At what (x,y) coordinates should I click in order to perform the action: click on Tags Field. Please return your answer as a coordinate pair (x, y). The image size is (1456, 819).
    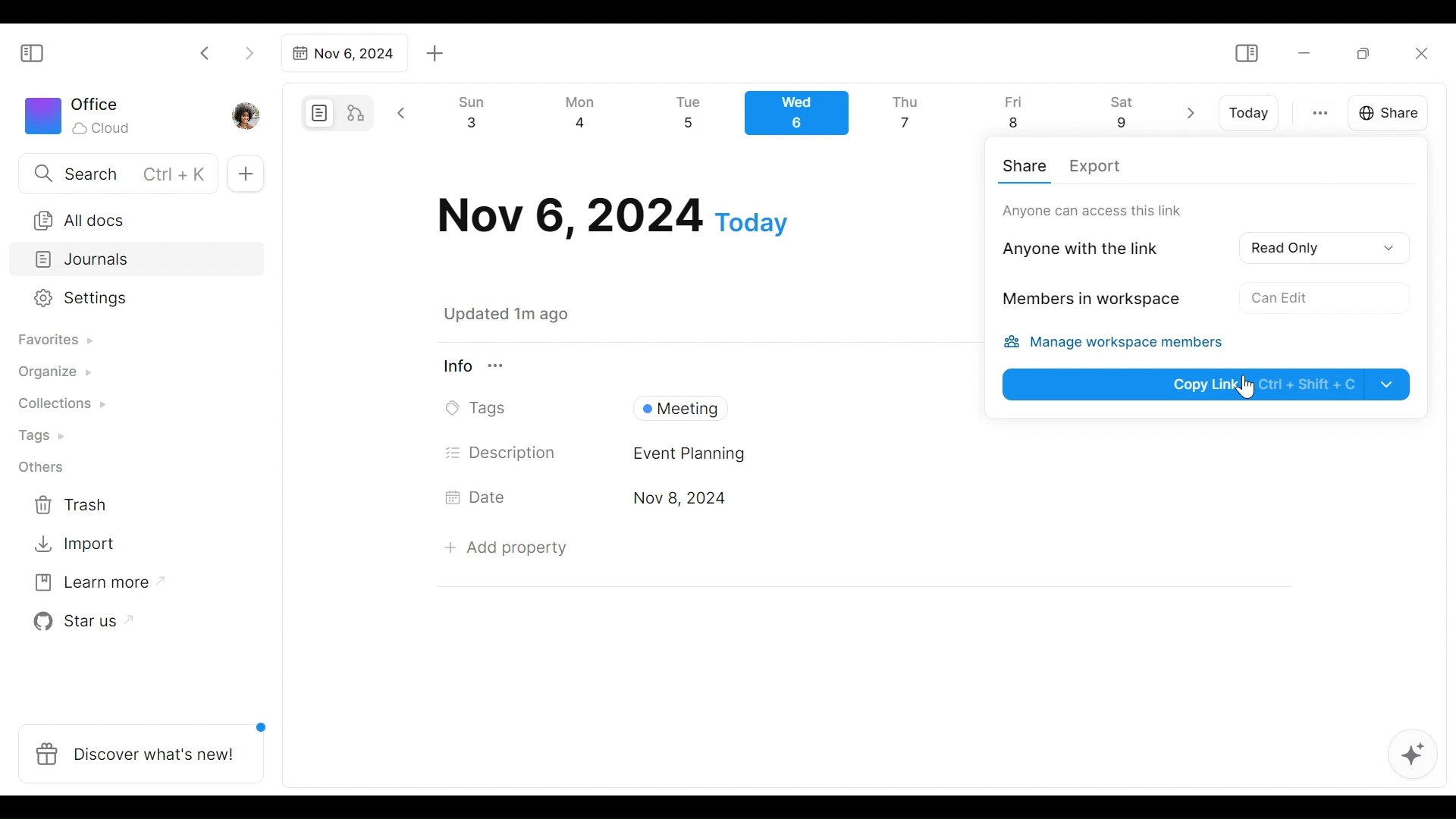
    Looking at the image, I should click on (795, 405).